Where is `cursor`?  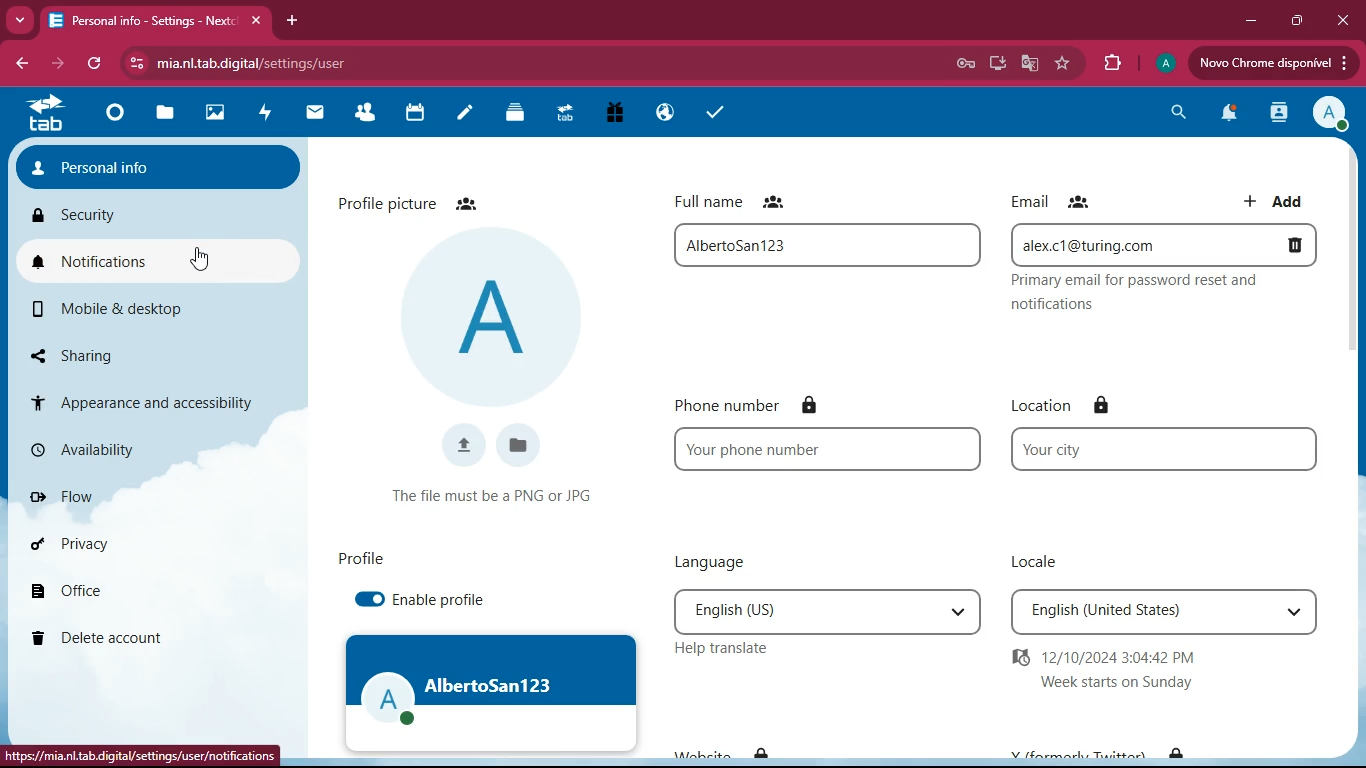
cursor is located at coordinates (202, 259).